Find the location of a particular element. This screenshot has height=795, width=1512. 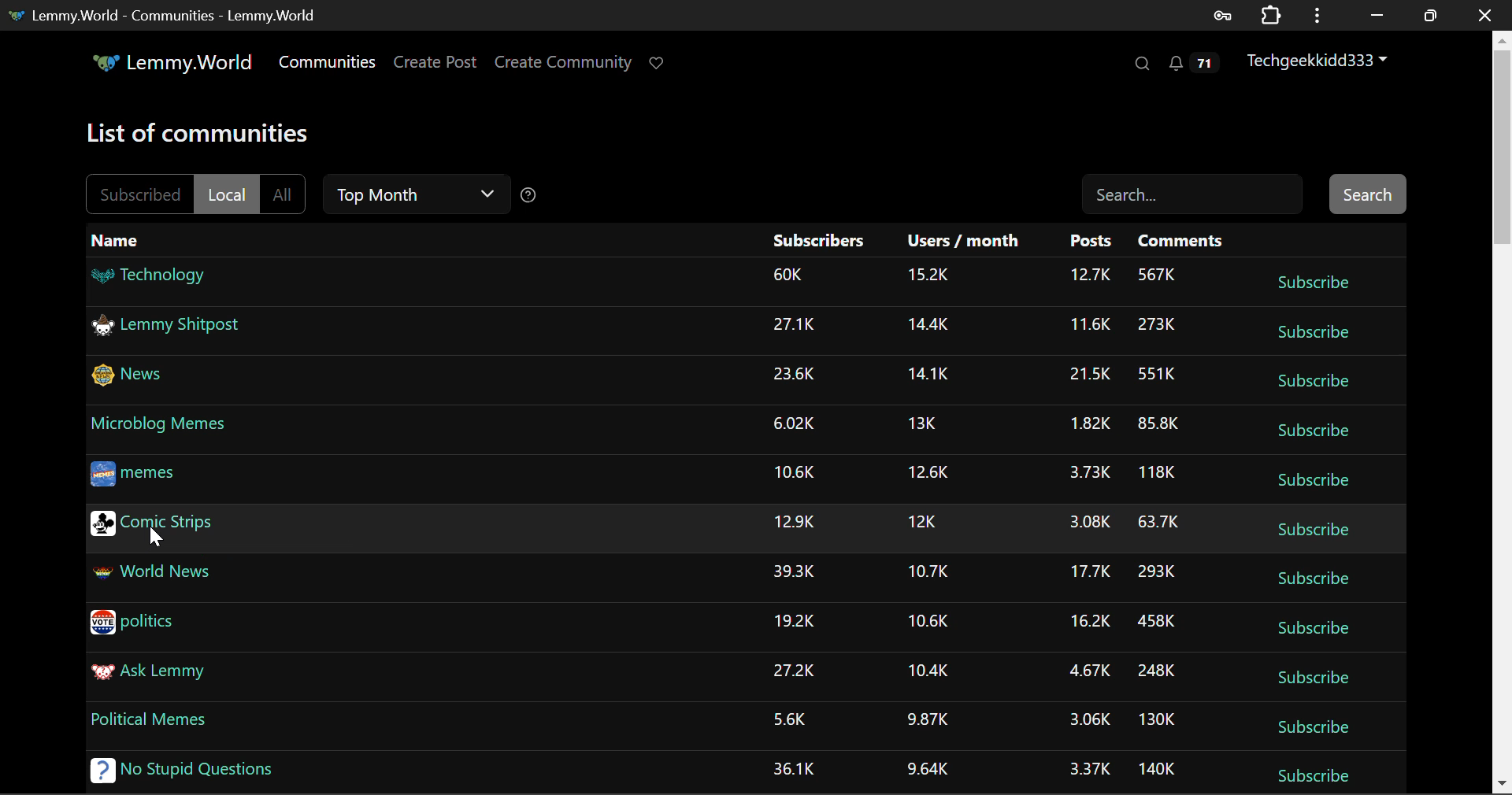

14.4K is located at coordinates (930, 327).